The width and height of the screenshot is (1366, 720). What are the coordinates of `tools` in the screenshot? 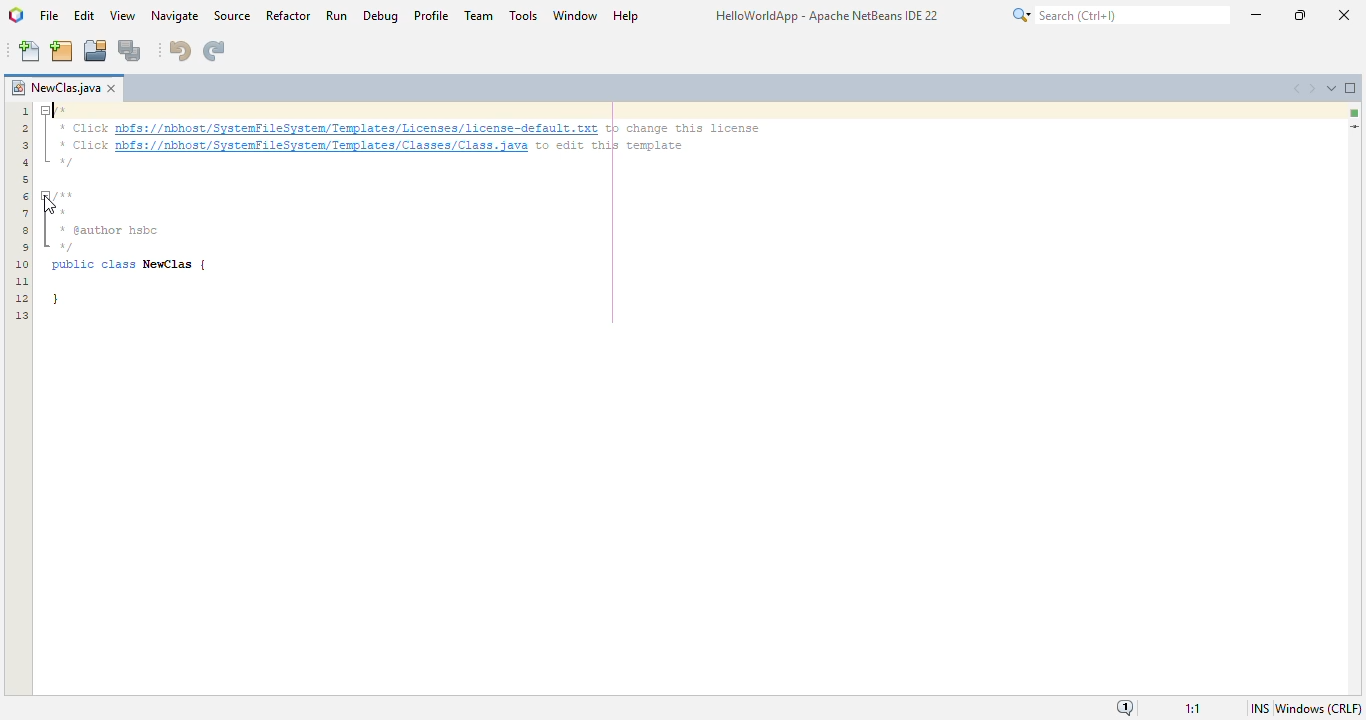 It's located at (522, 14).